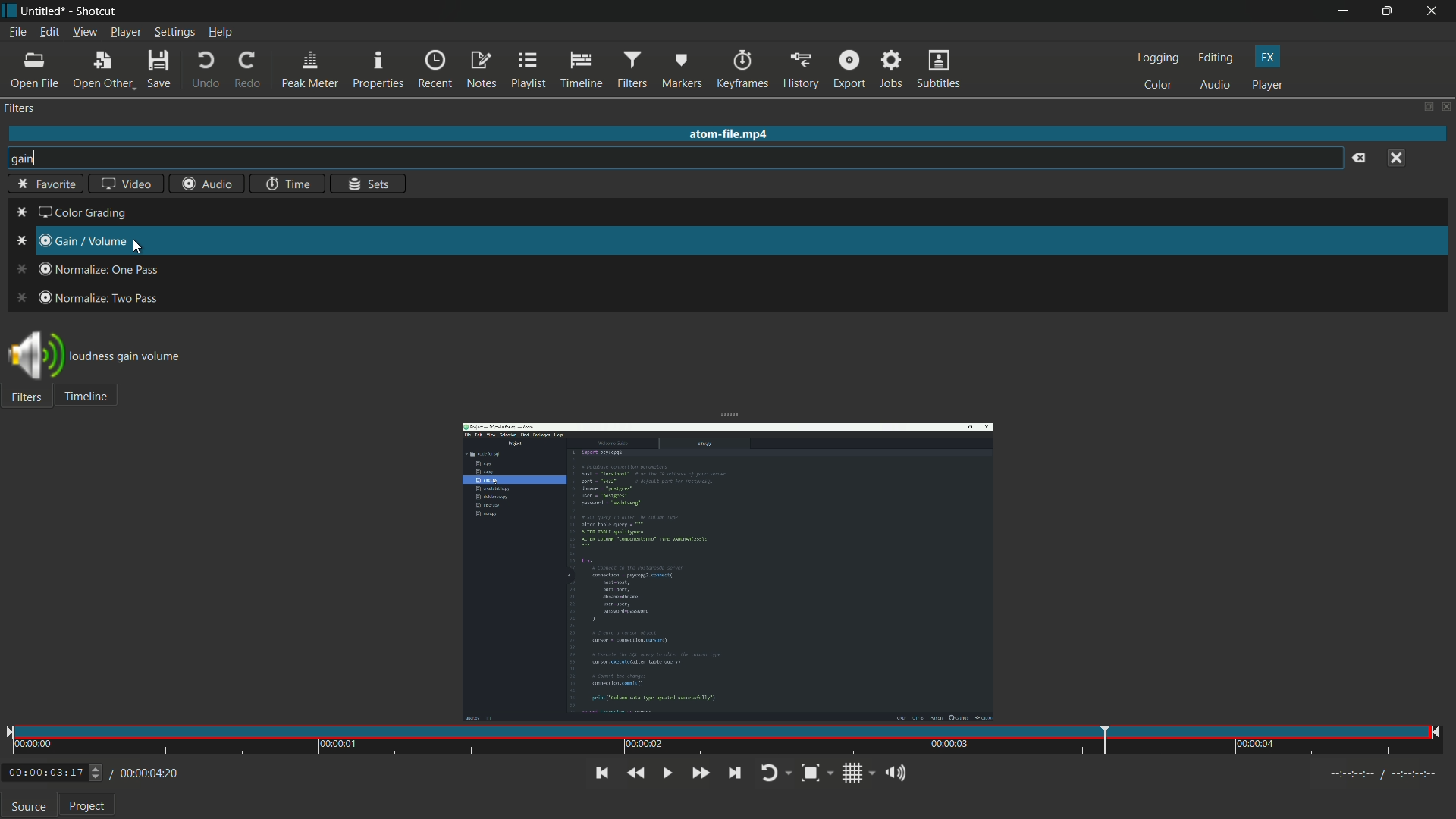 The height and width of the screenshot is (819, 1456). What do you see at coordinates (741, 70) in the screenshot?
I see `keyframes` at bounding box center [741, 70].